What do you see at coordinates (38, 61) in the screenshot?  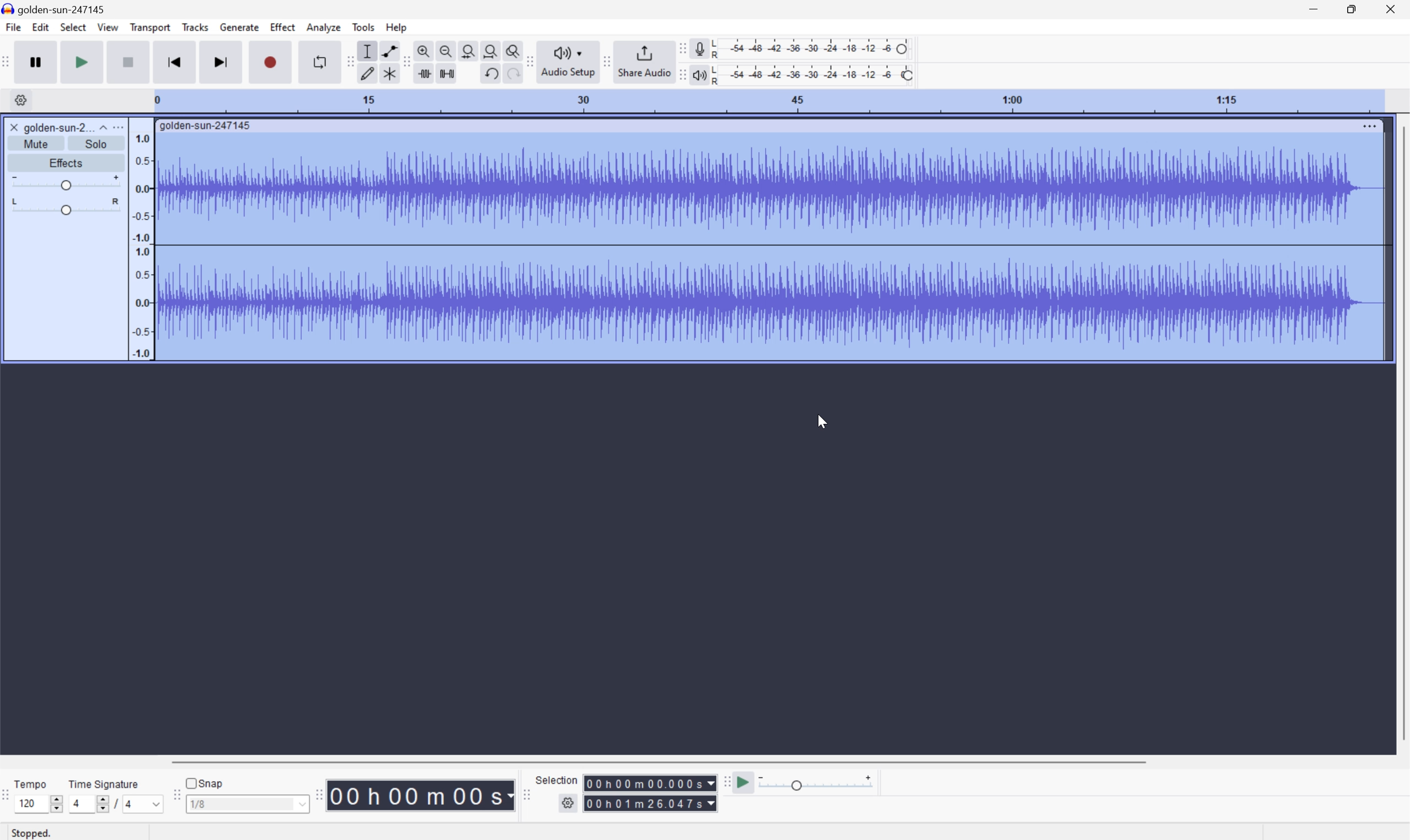 I see `Pause` at bounding box center [38, 61].